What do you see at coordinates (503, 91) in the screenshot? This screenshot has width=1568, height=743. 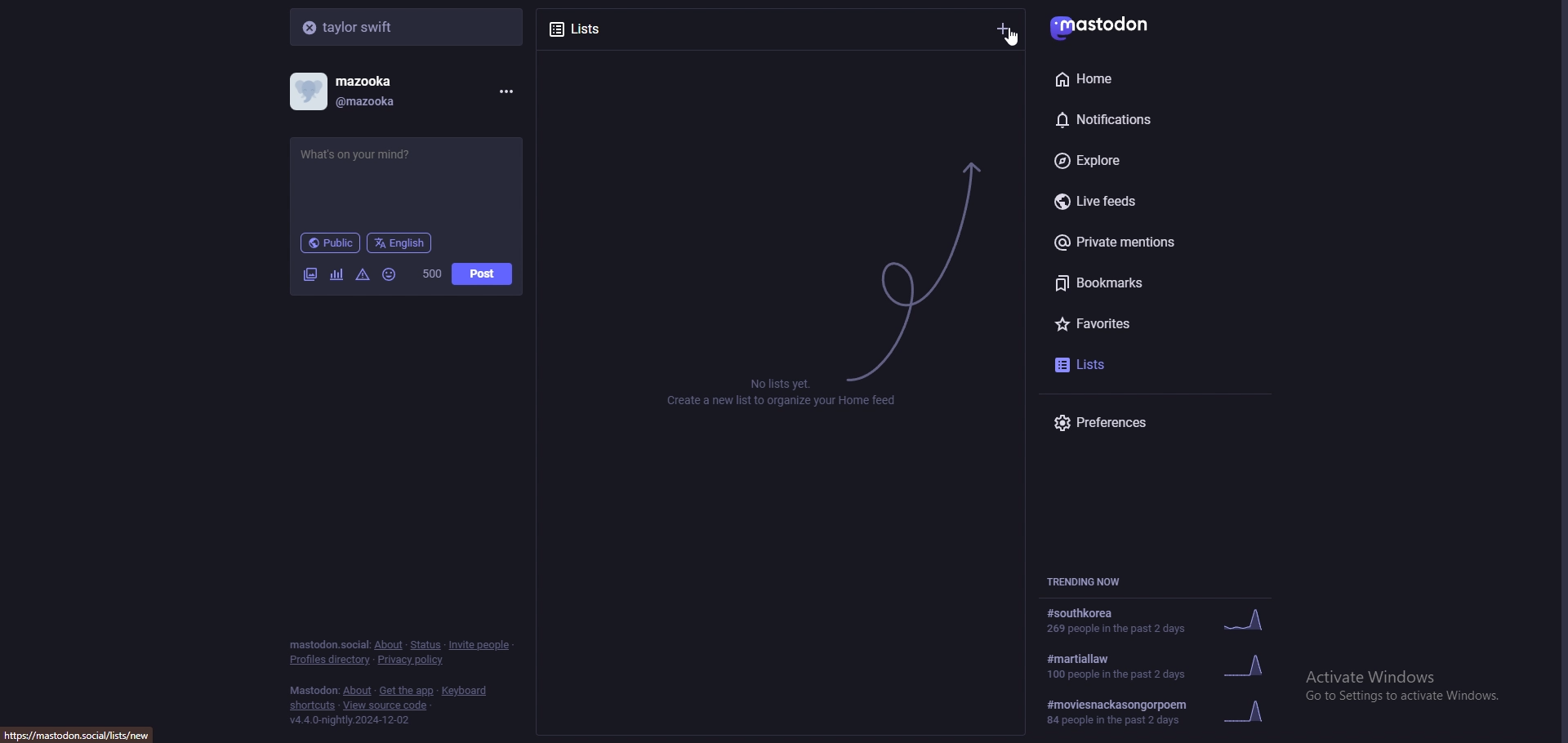 I see `menu` at bounding box center [503, 91].